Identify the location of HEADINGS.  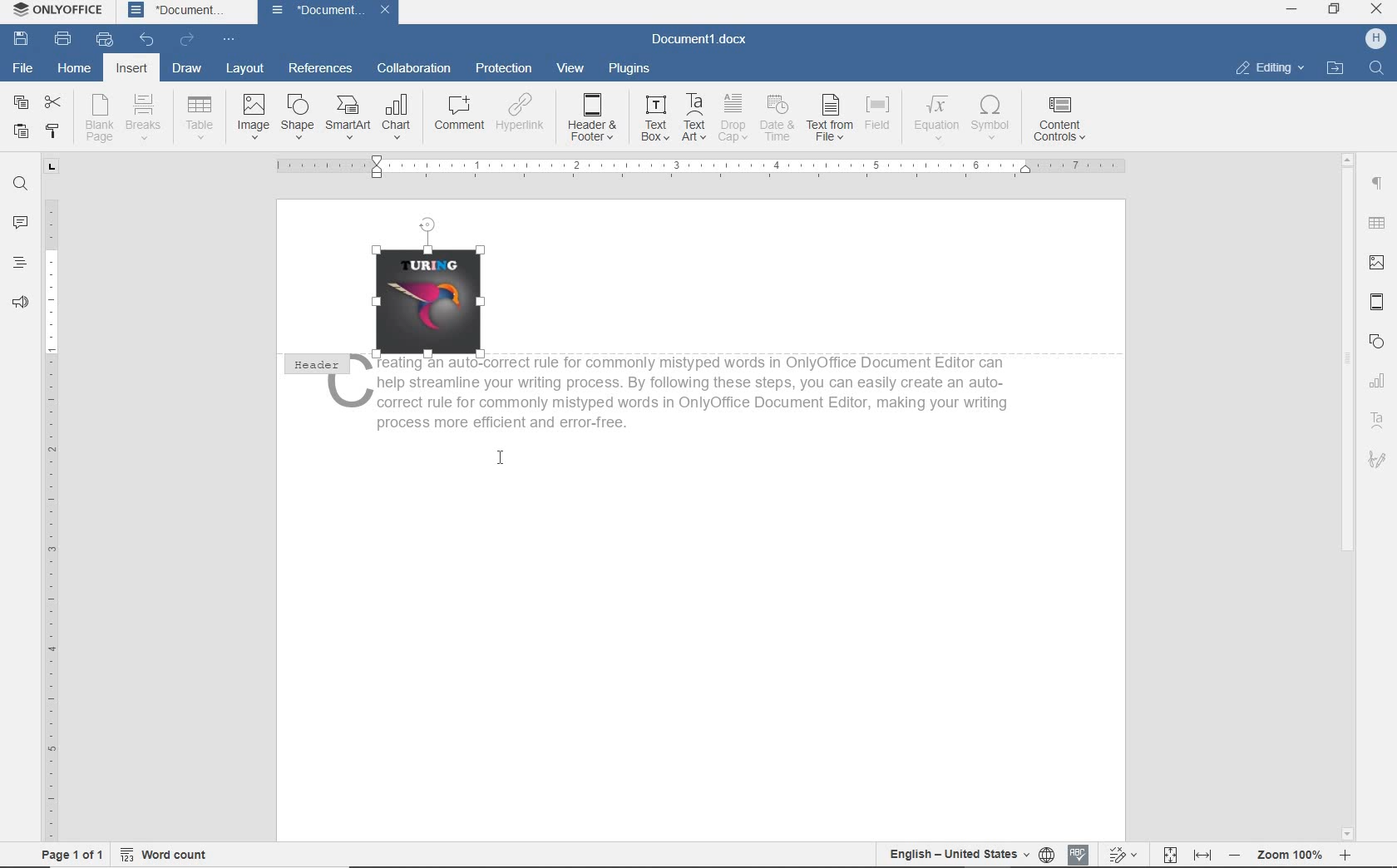
(20, 263).